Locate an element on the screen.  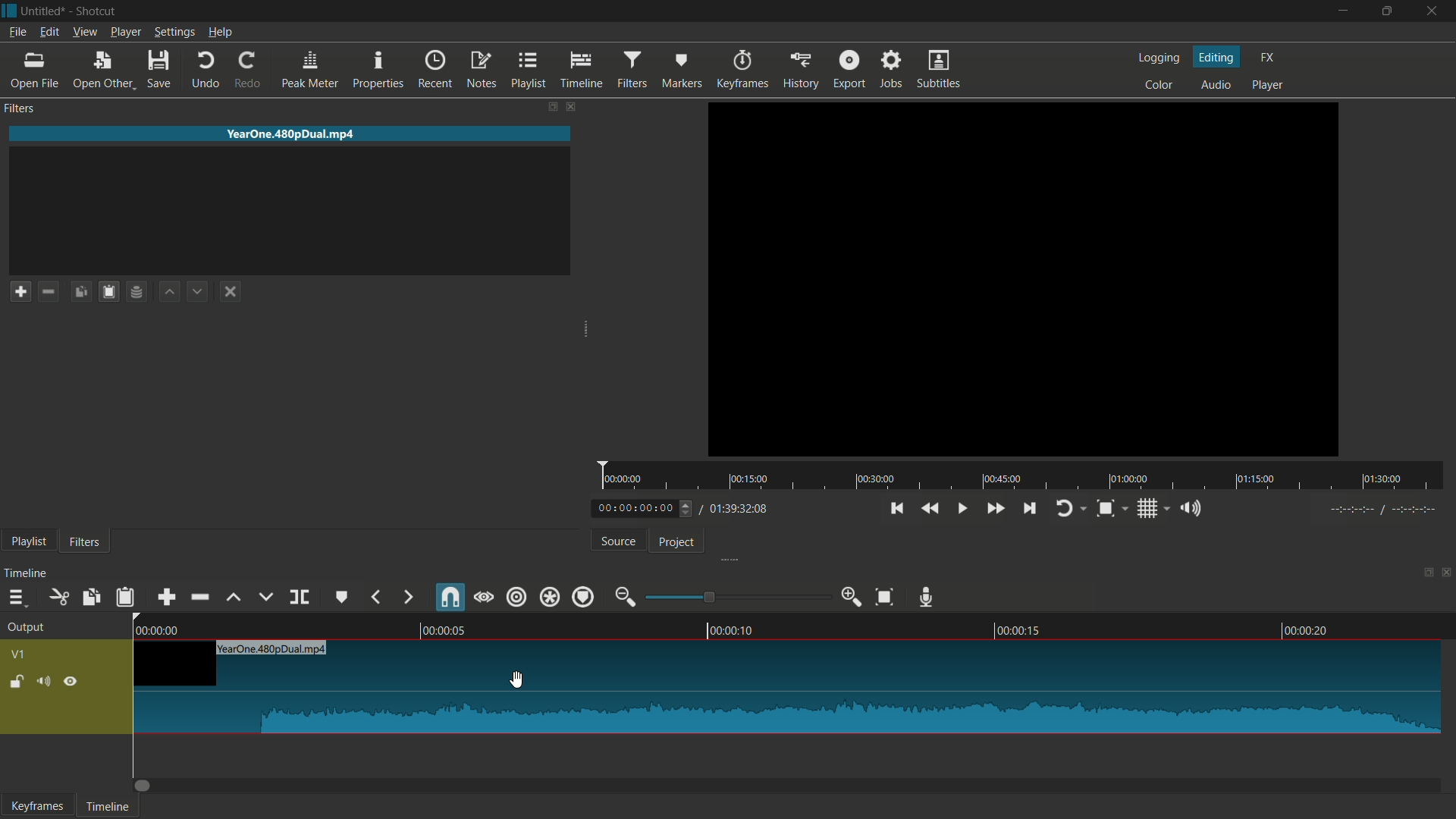
current time is located at coordinates (634, 510).